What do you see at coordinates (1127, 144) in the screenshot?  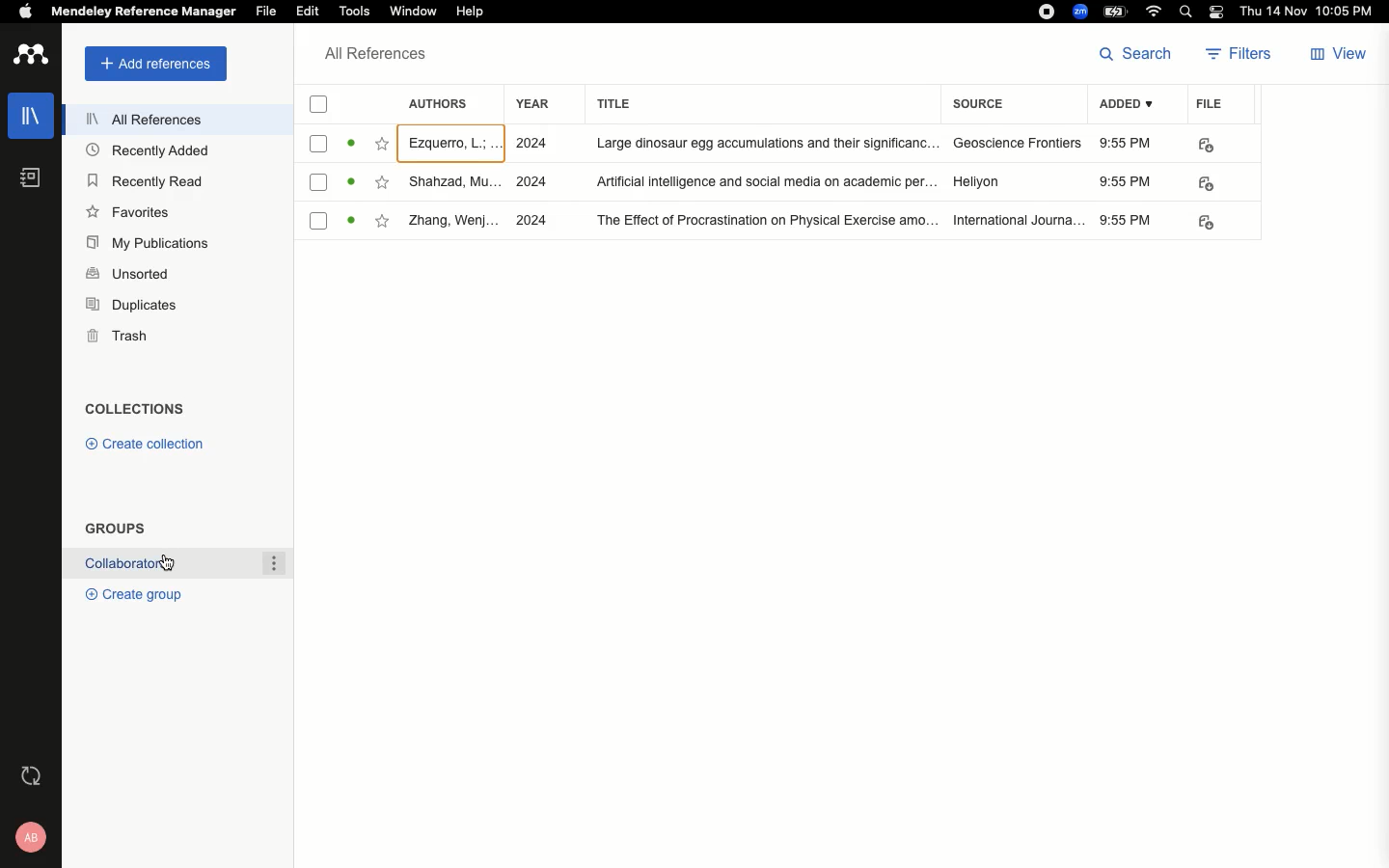 I see `9:55 PM` at bounding box center [1127, 144].